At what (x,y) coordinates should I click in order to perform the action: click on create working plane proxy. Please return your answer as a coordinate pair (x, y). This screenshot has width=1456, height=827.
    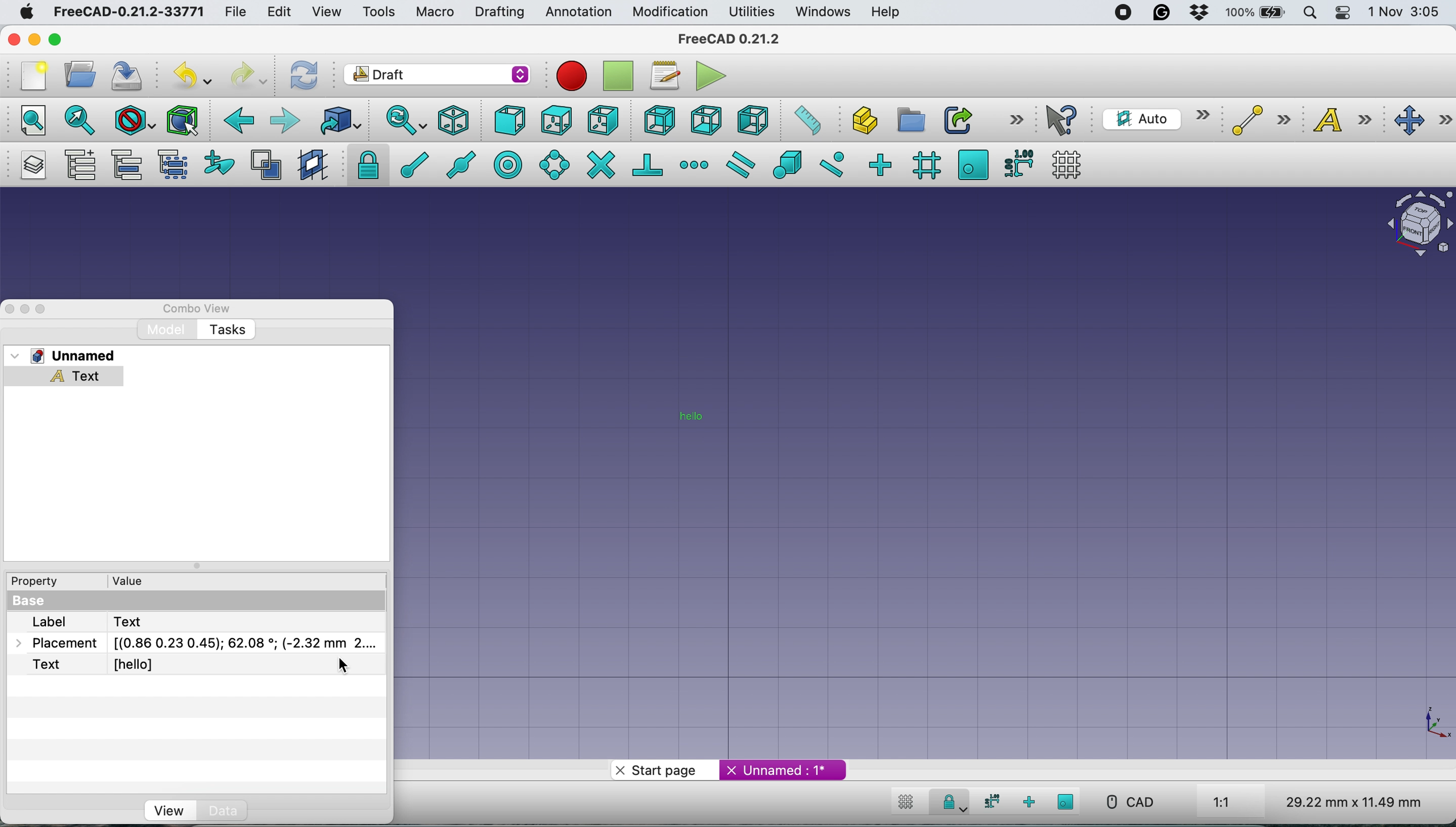
    Looking at the image, I should click on (313, 166).